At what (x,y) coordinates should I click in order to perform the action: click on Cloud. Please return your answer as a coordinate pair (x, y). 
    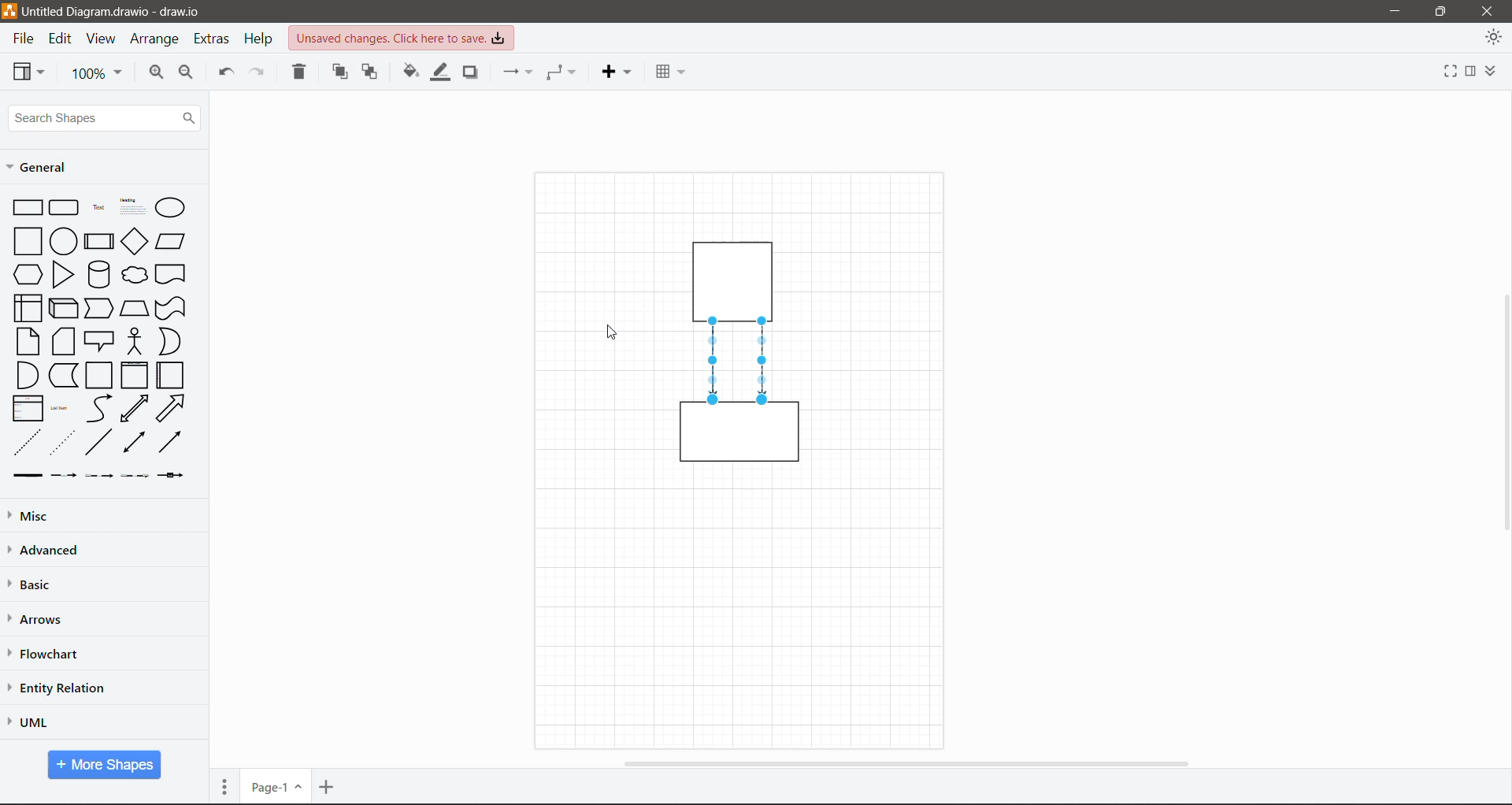
    Looking at the image, I should click on (135, 275).